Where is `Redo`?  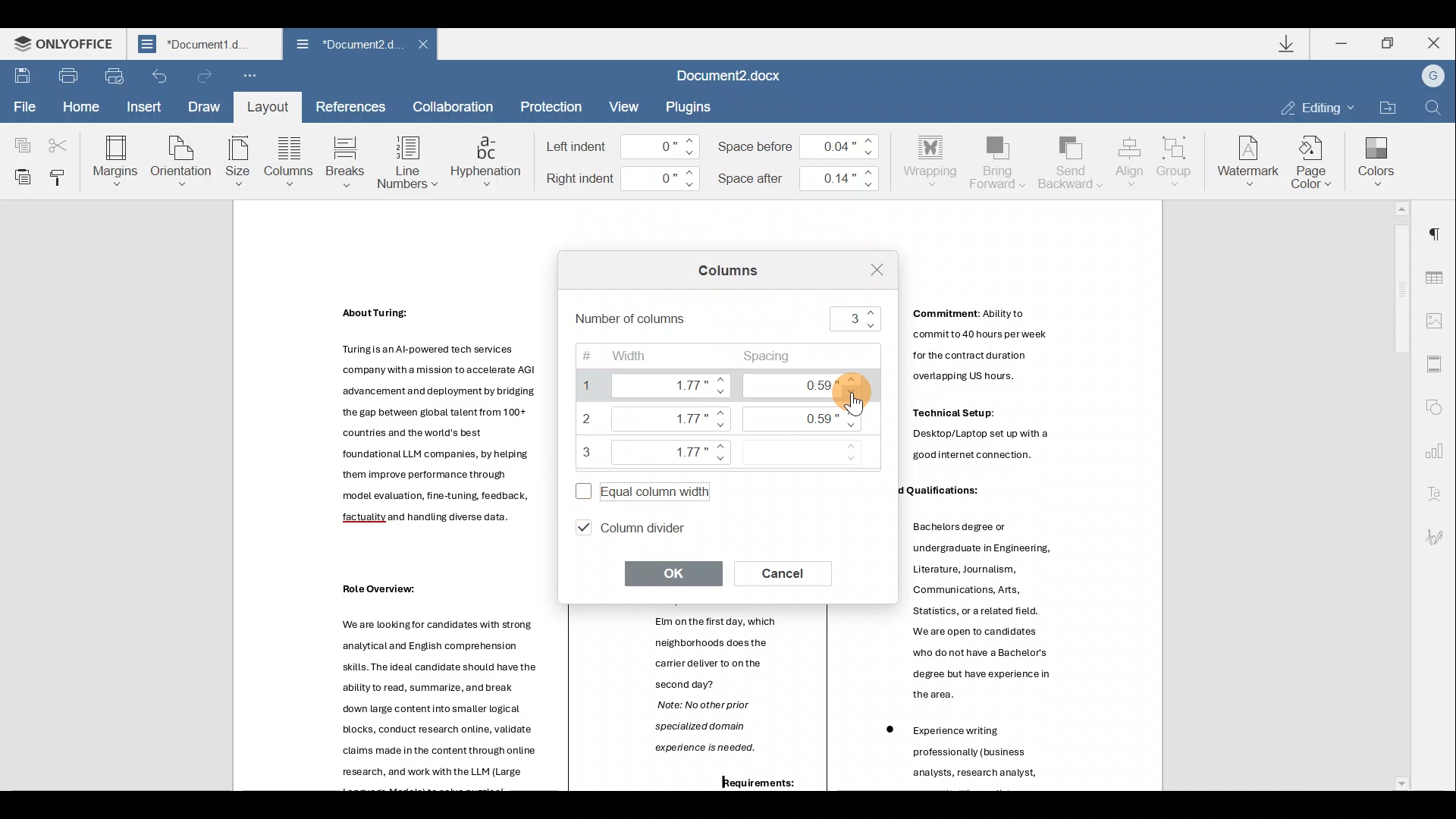 Redo is located at coordinates (206, 77).